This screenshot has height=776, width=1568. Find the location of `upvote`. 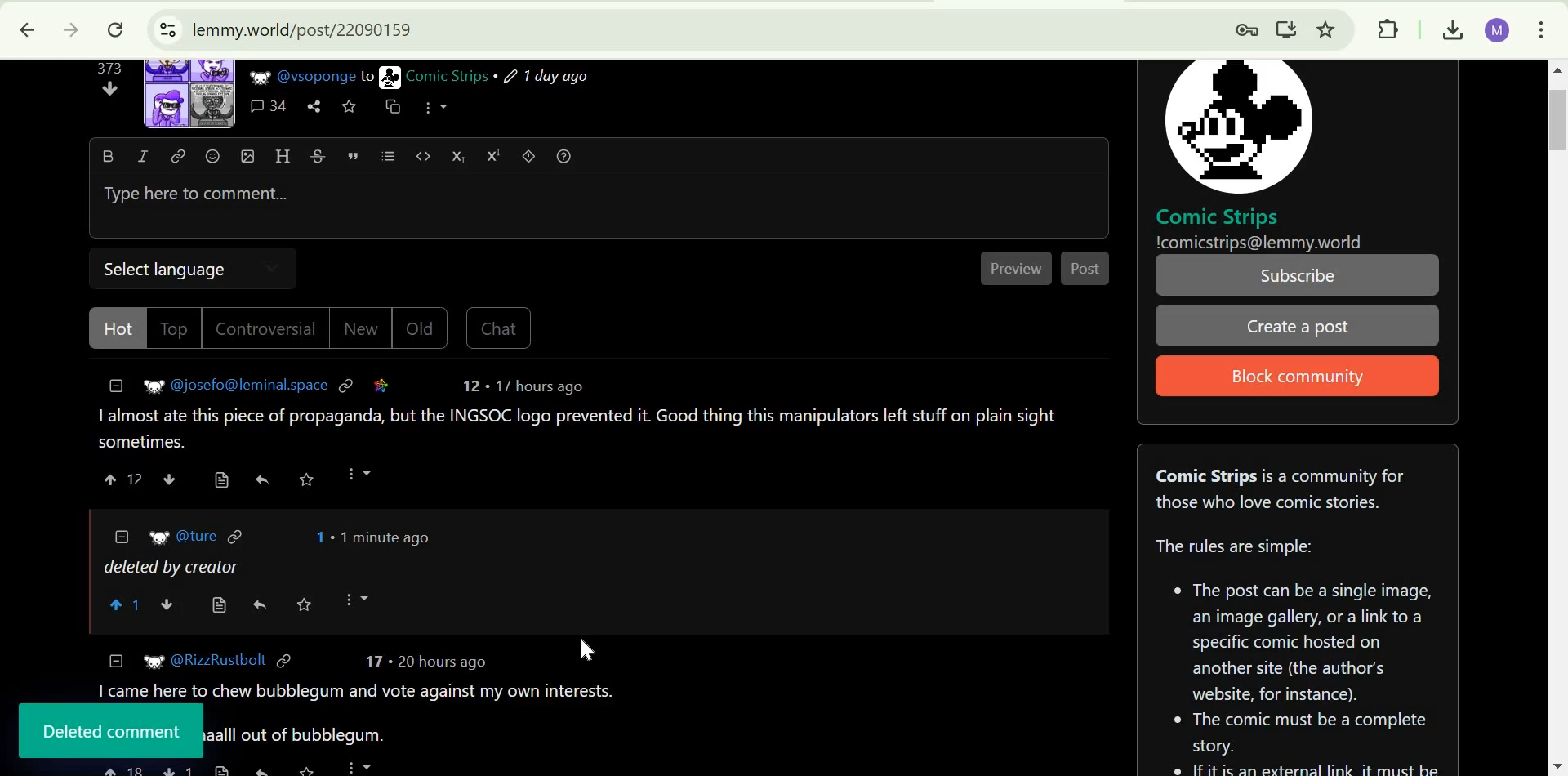

upvote is located at coordinates (112, 479).